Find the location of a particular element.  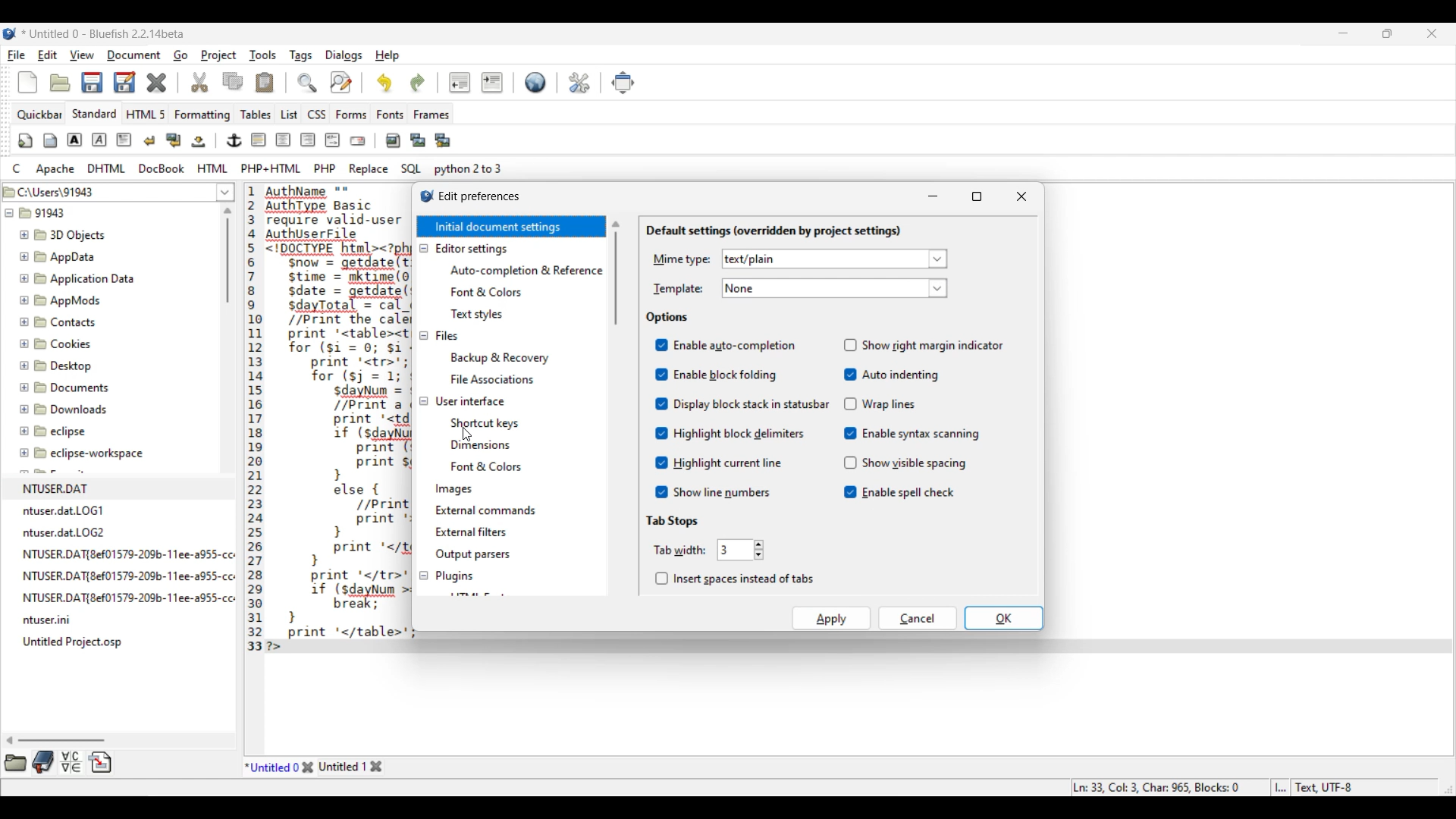

Indicates Mime type setting is located at coordinates (682, 260).